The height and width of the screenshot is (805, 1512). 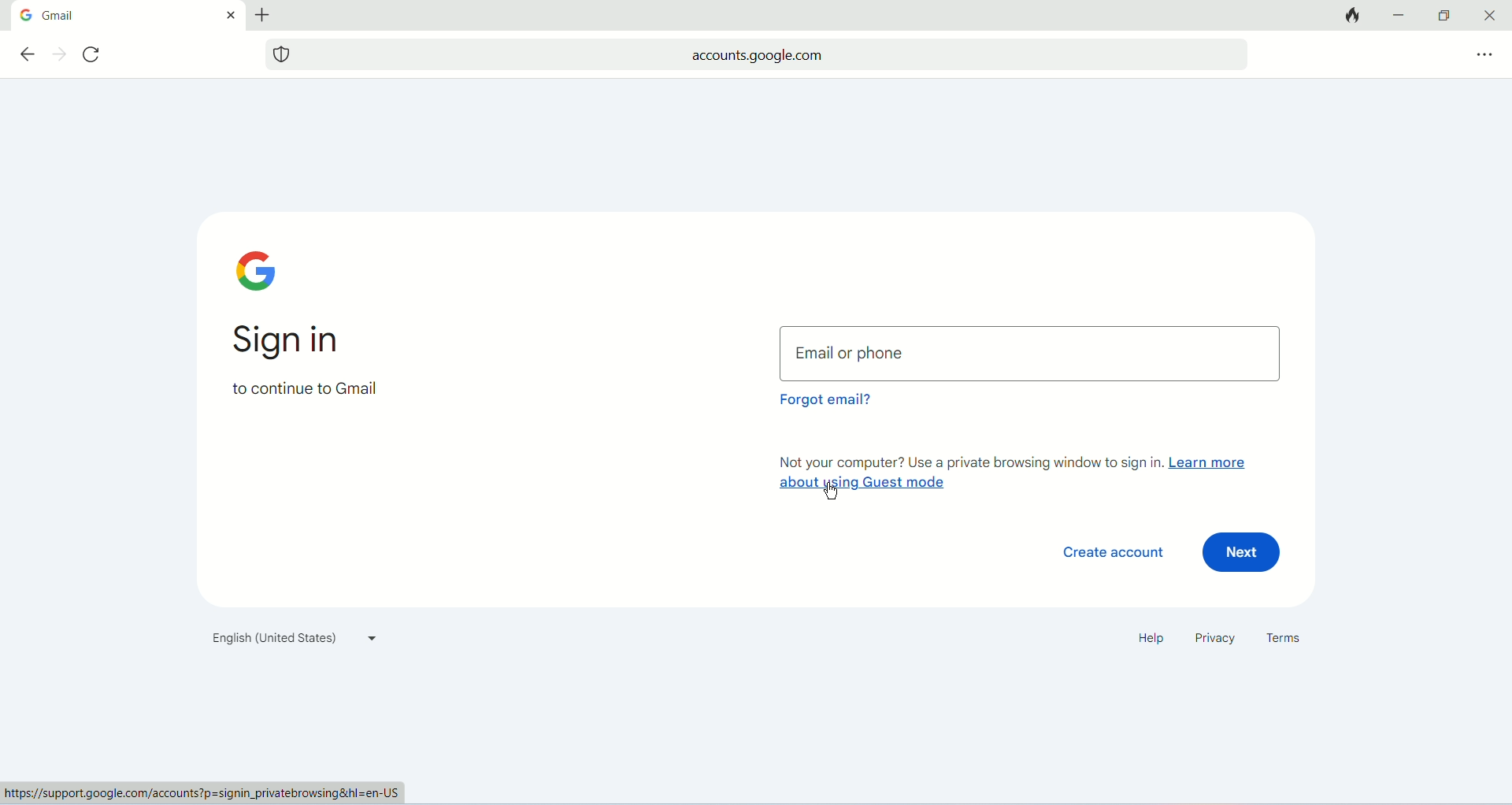 What do you see at coordinates (26, 54) in the screenshot?
I see `previous` at bounding box center [26, 54].